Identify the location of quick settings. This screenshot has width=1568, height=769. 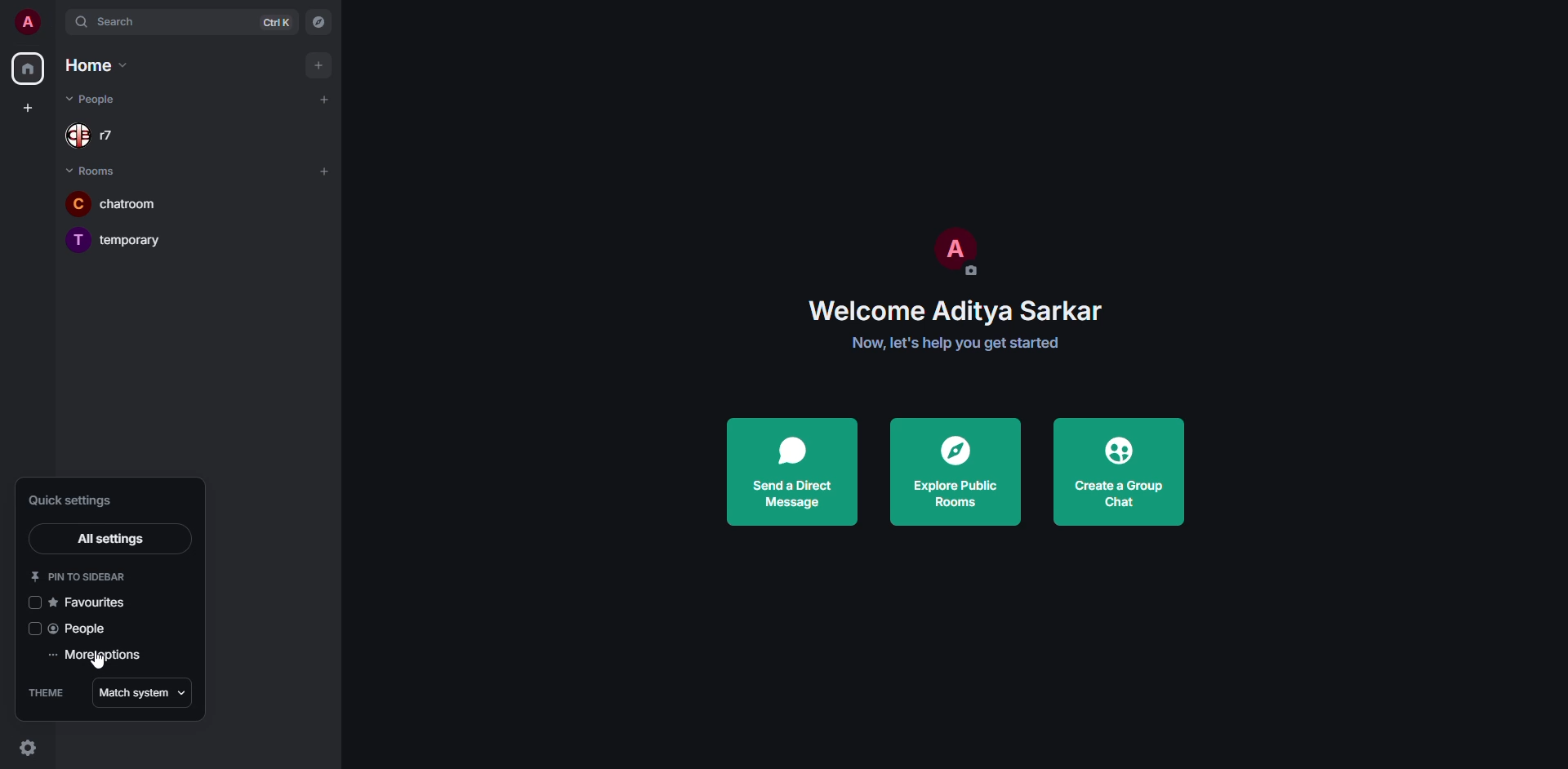
(77, 500).